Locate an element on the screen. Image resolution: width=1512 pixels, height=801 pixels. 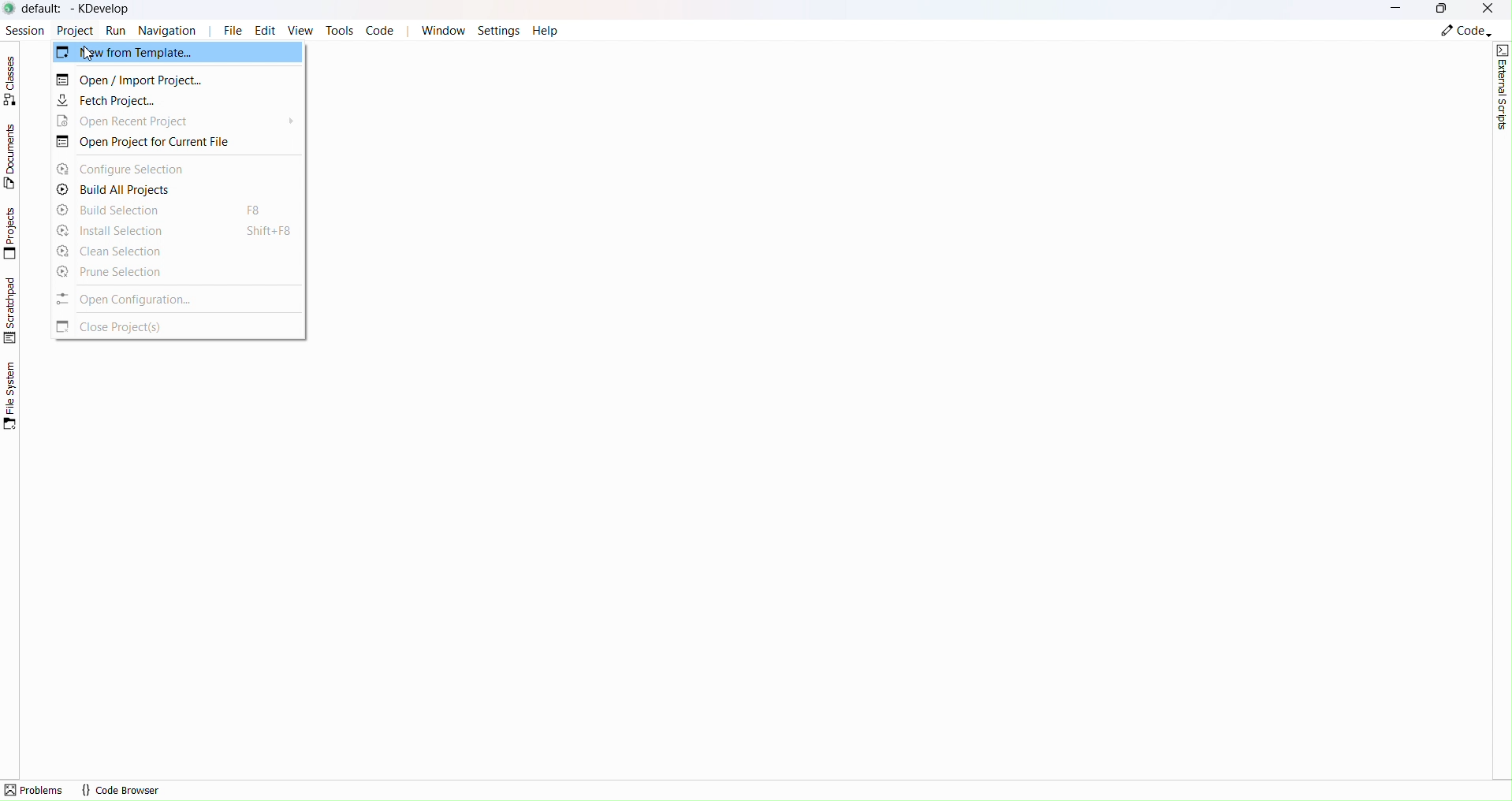
Session is located at coordinates (23, 28).